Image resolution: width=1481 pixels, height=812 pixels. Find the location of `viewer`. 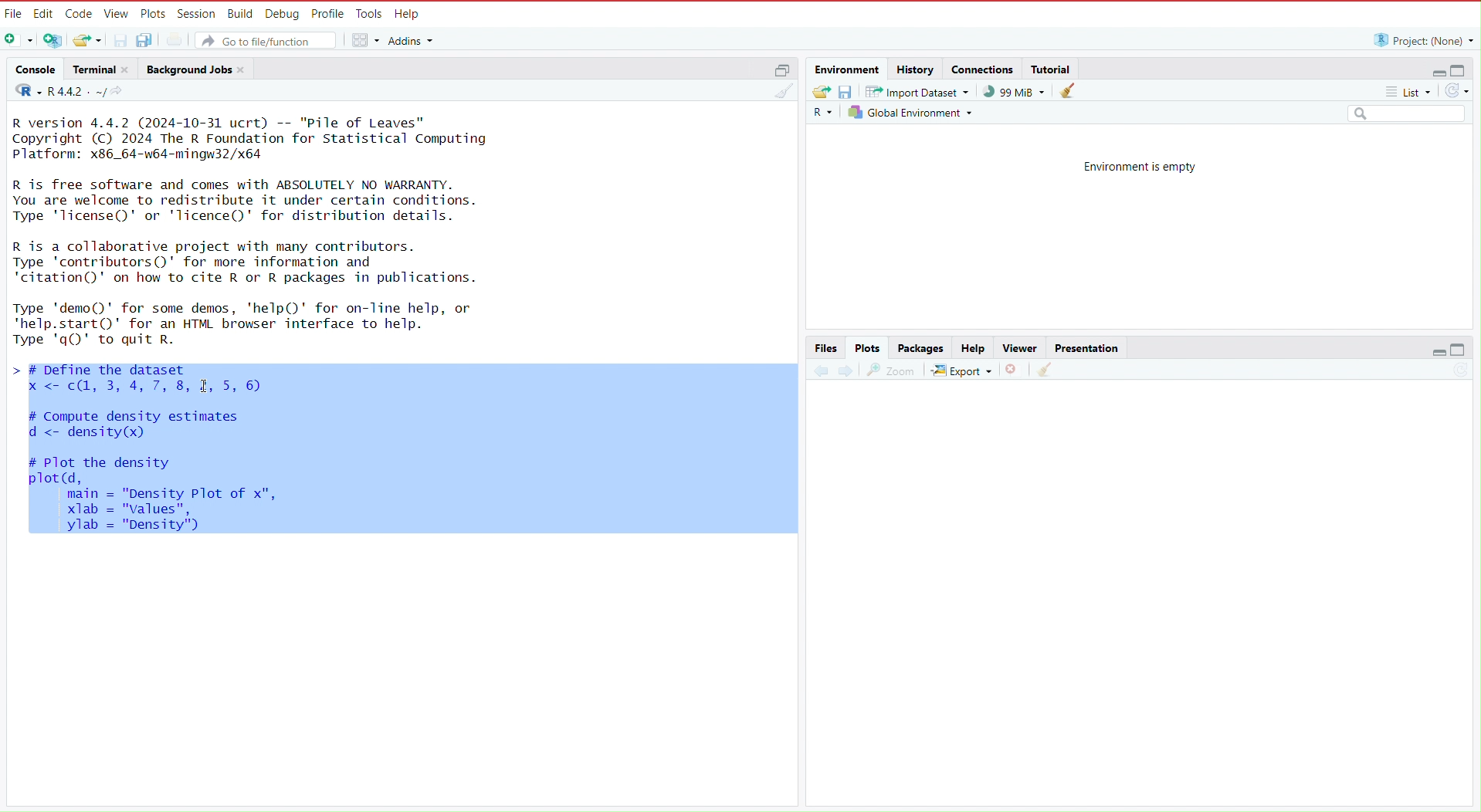

viewer is located at coordinates (1015, 347).